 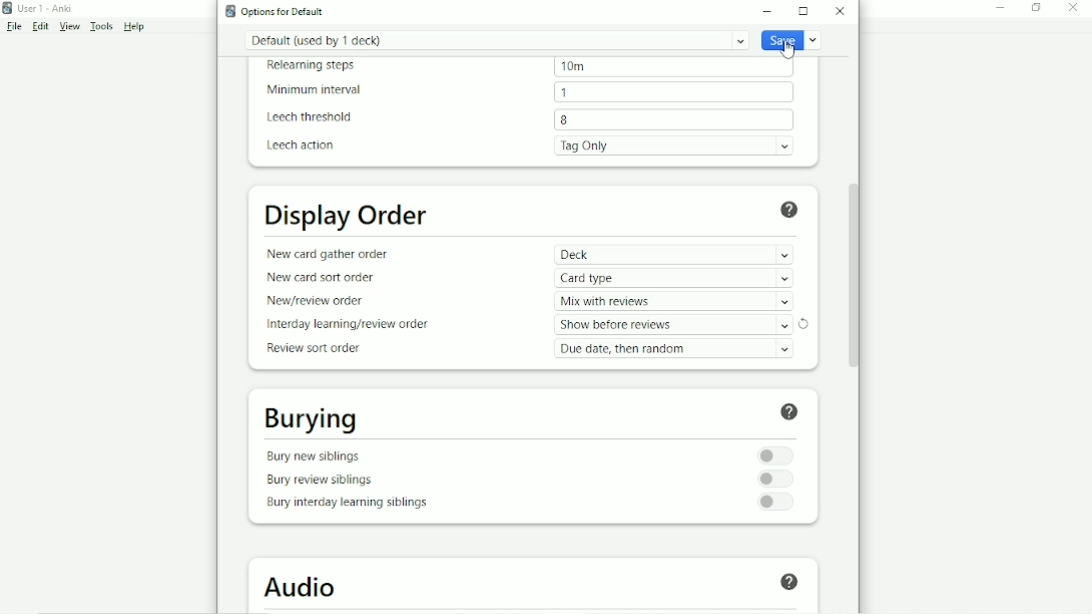 What do you see at coordinates (677, 350) in the screenshot?
I see `Due date, then random` at bounding box center [677, 350].